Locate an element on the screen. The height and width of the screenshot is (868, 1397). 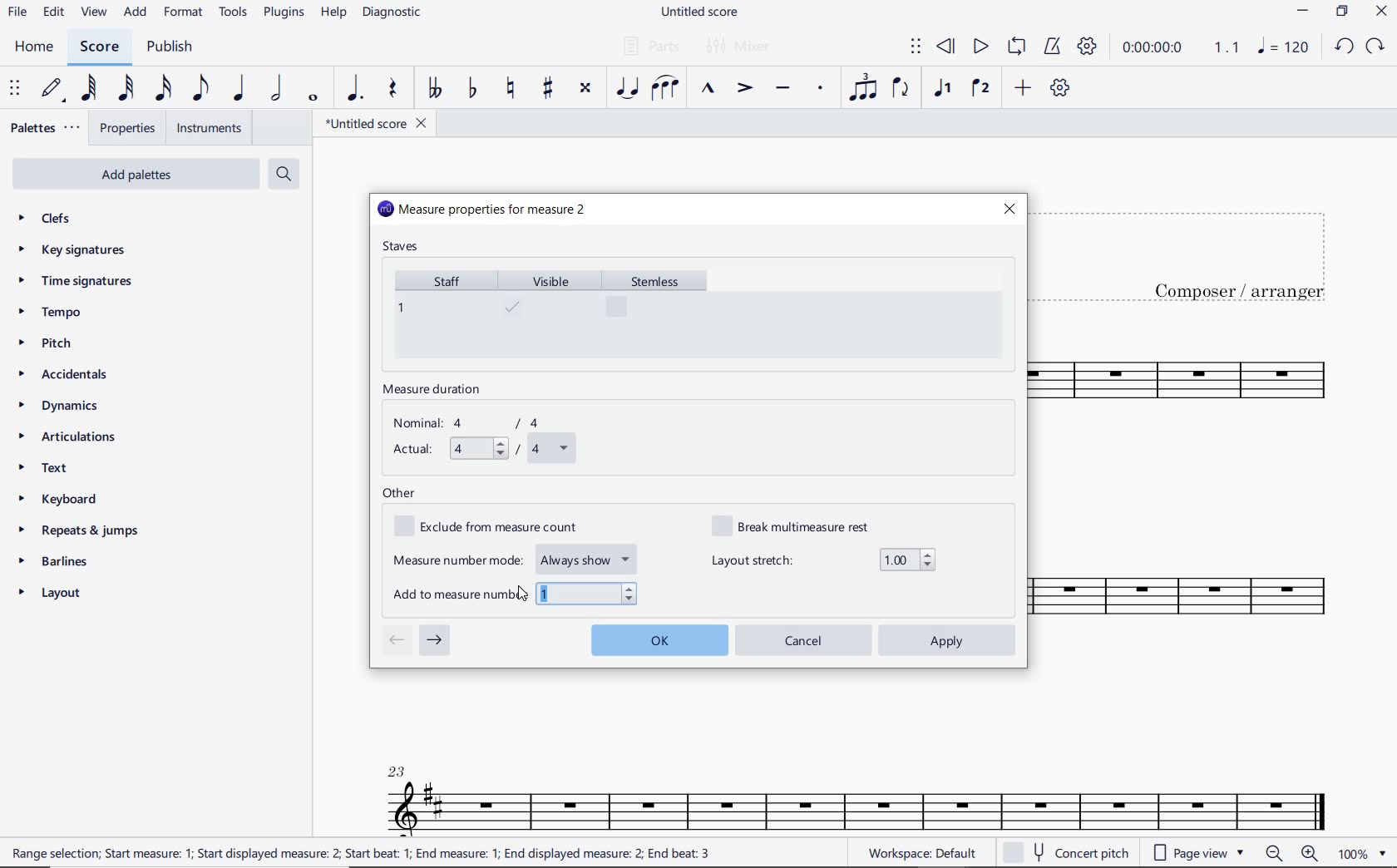
TUPLET is located at coordinates (865, 87).